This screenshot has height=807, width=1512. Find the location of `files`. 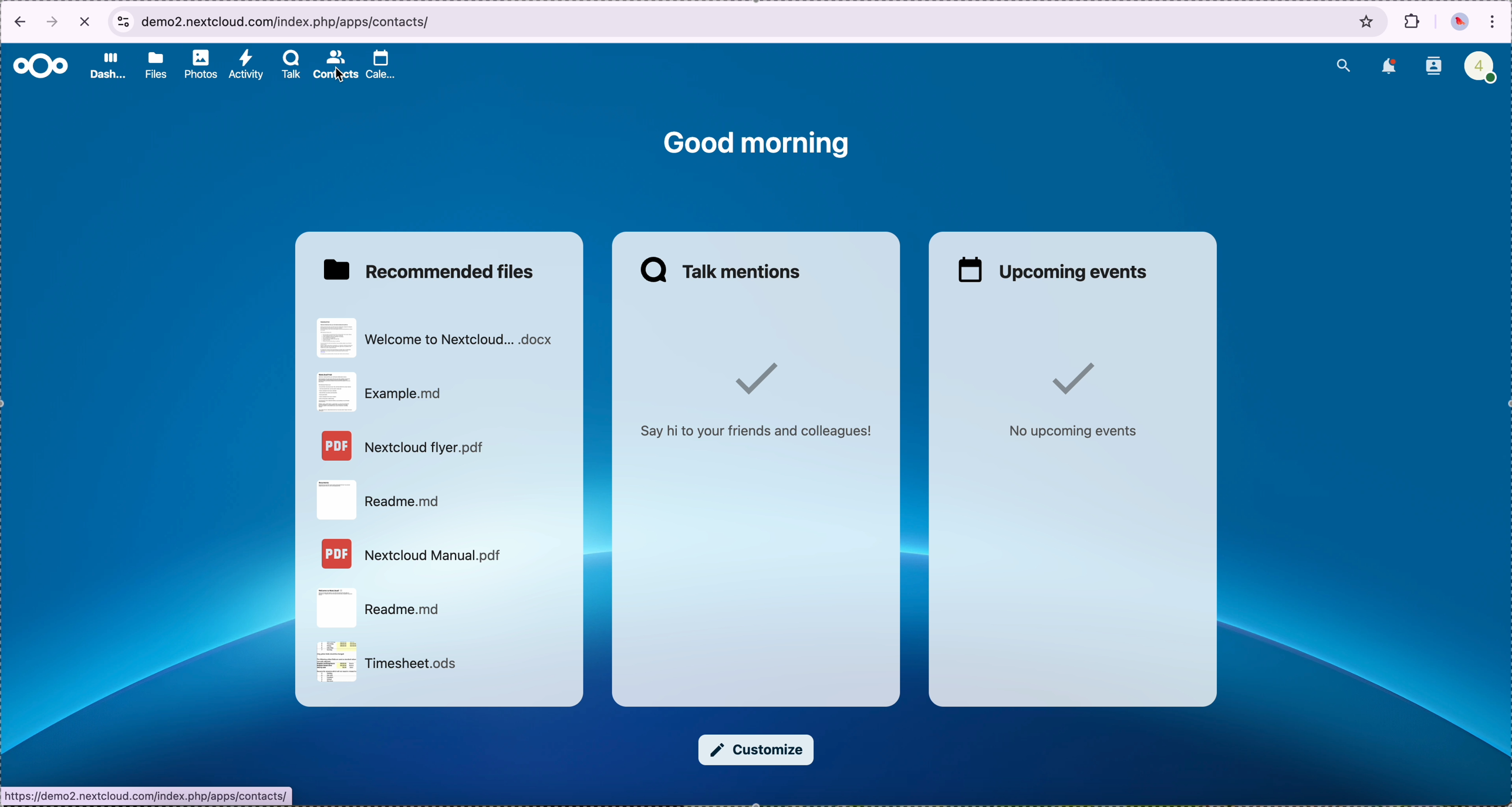

files is located at coordinates (153, 65).